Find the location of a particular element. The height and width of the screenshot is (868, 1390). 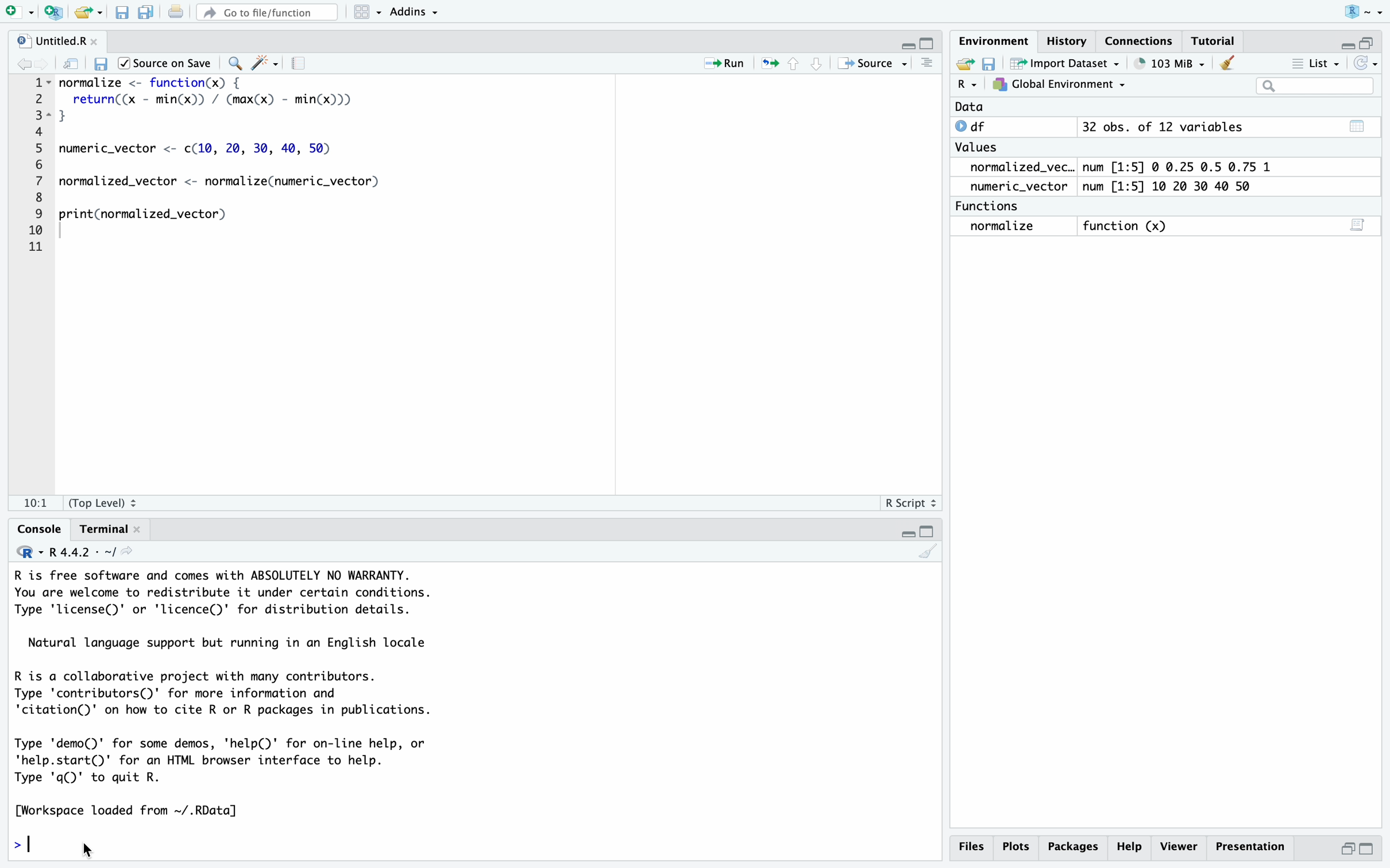

Show document outline (Ctrl + Shift + O) is located at coordinates (928, 64).